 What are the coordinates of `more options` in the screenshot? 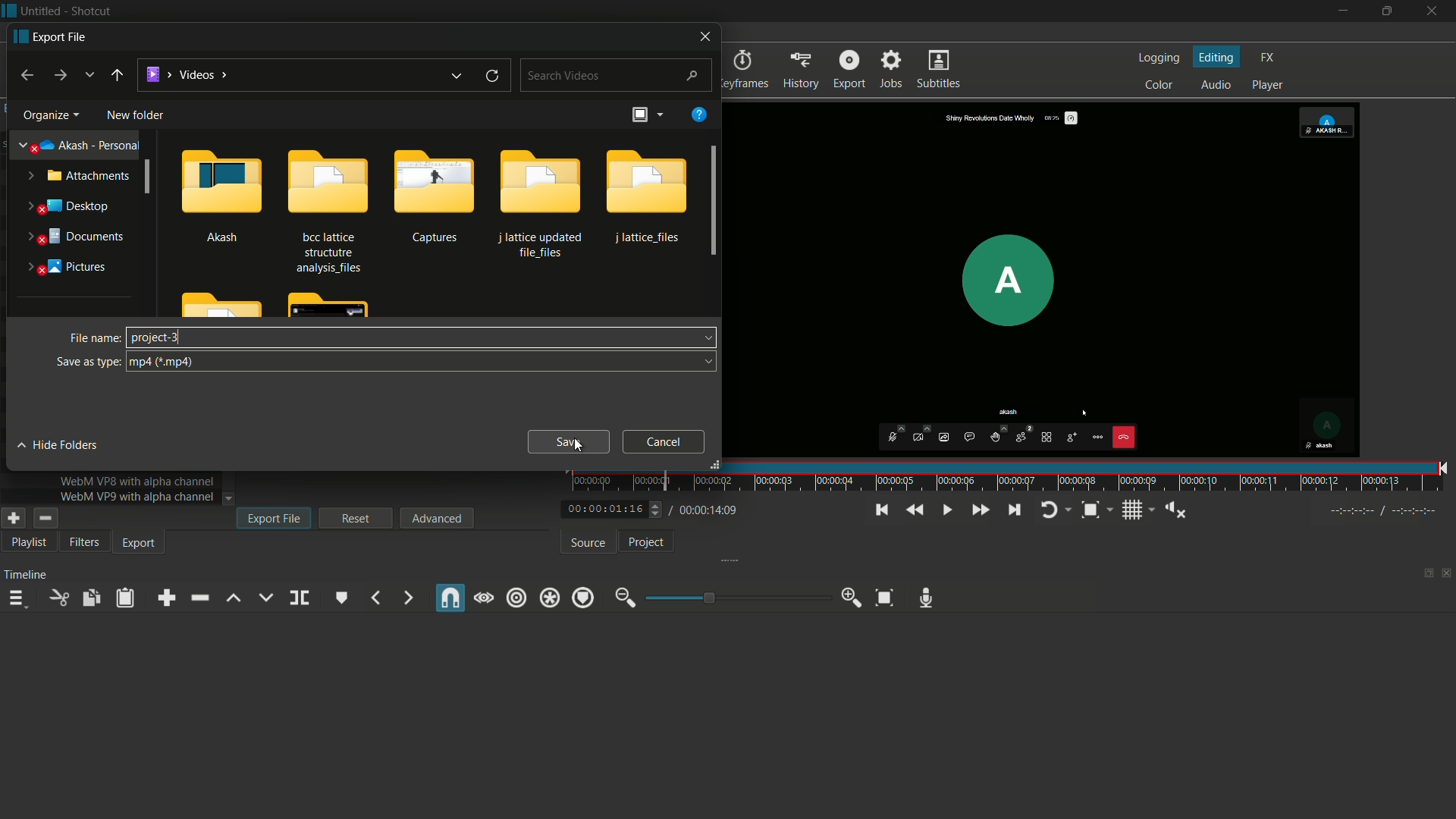 It's located at (661, 114).